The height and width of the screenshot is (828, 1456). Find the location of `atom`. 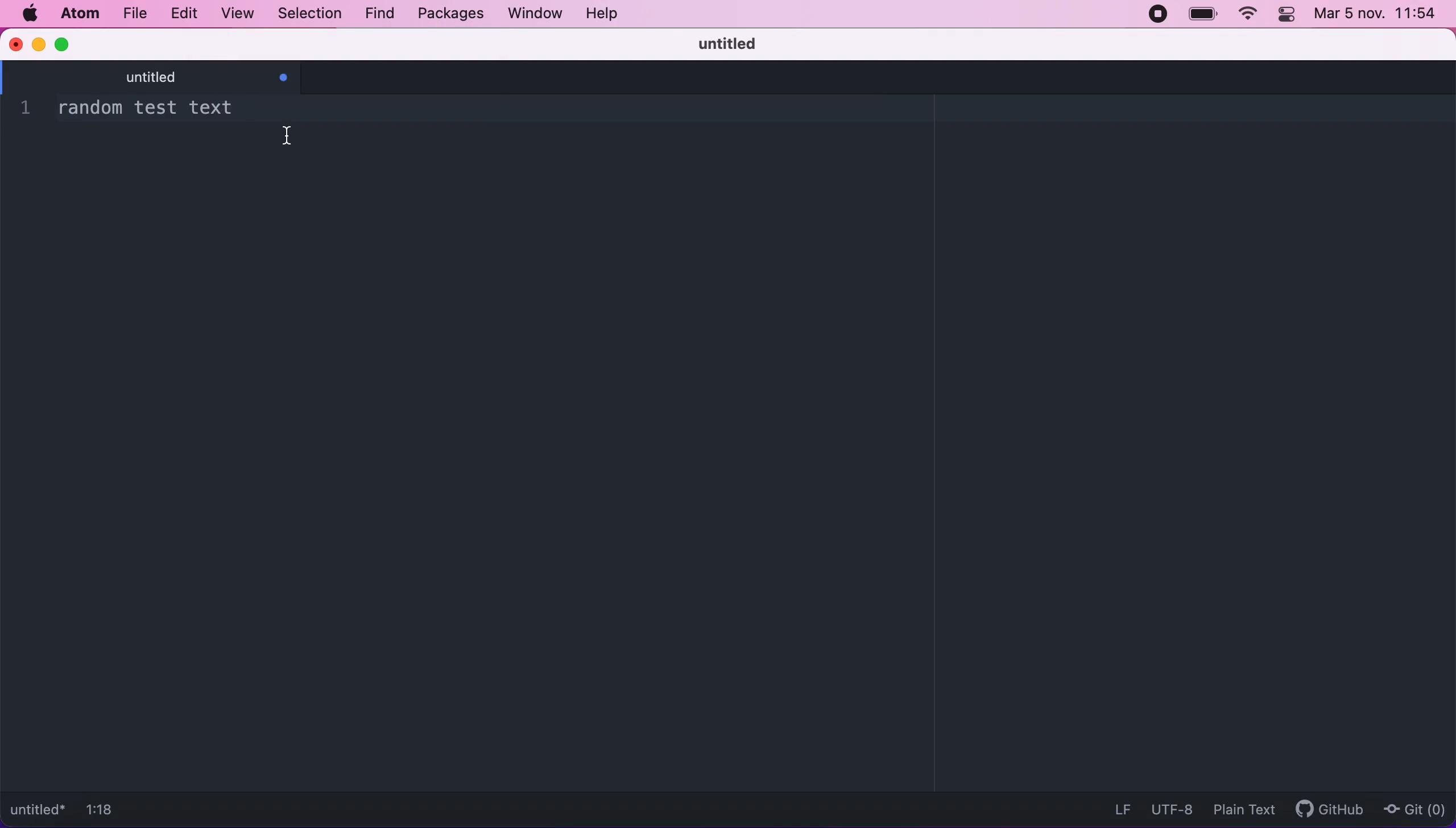

atom is located at coordinates (77, 15).